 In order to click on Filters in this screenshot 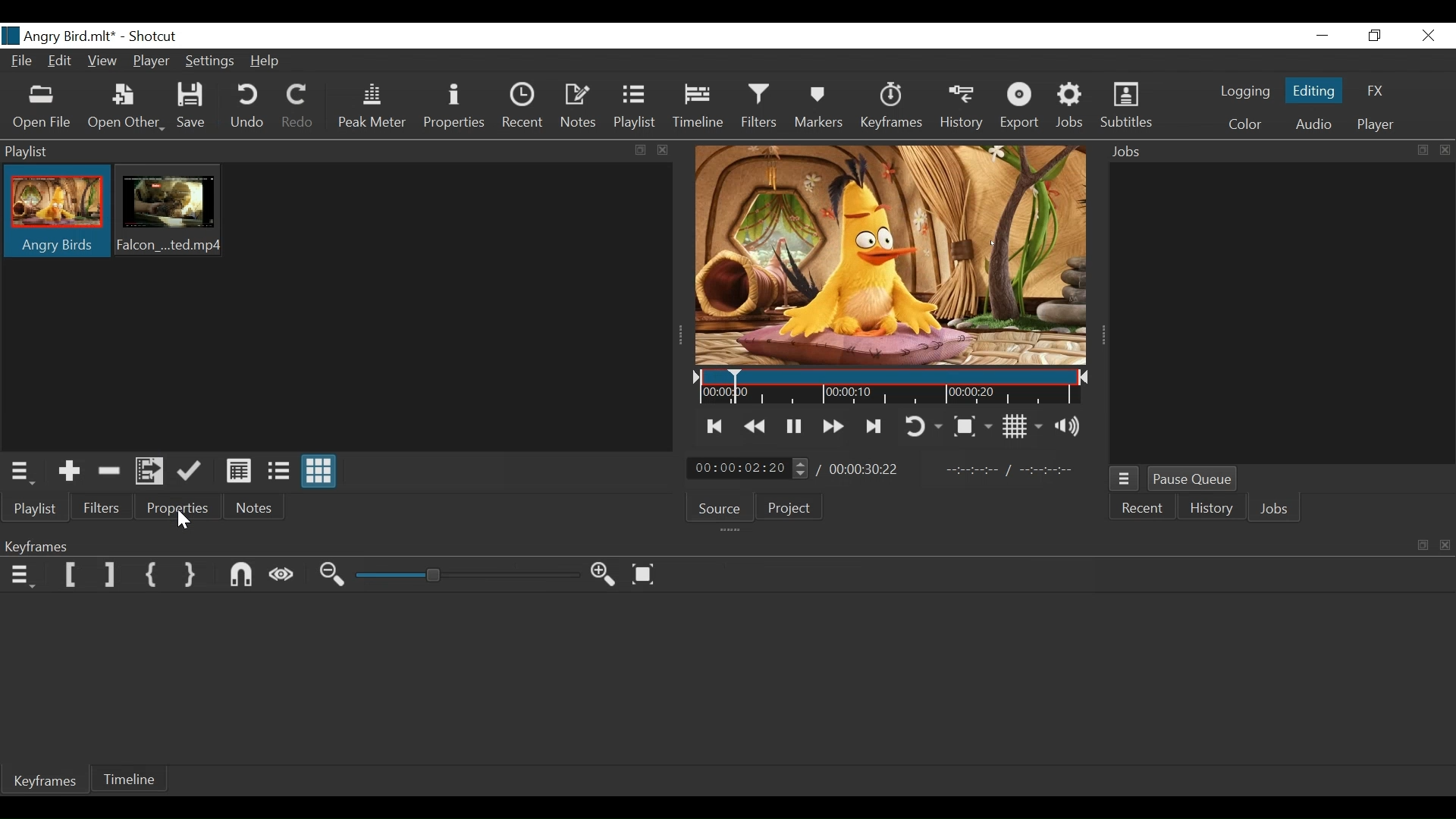, I will do `click(758, 108)`.